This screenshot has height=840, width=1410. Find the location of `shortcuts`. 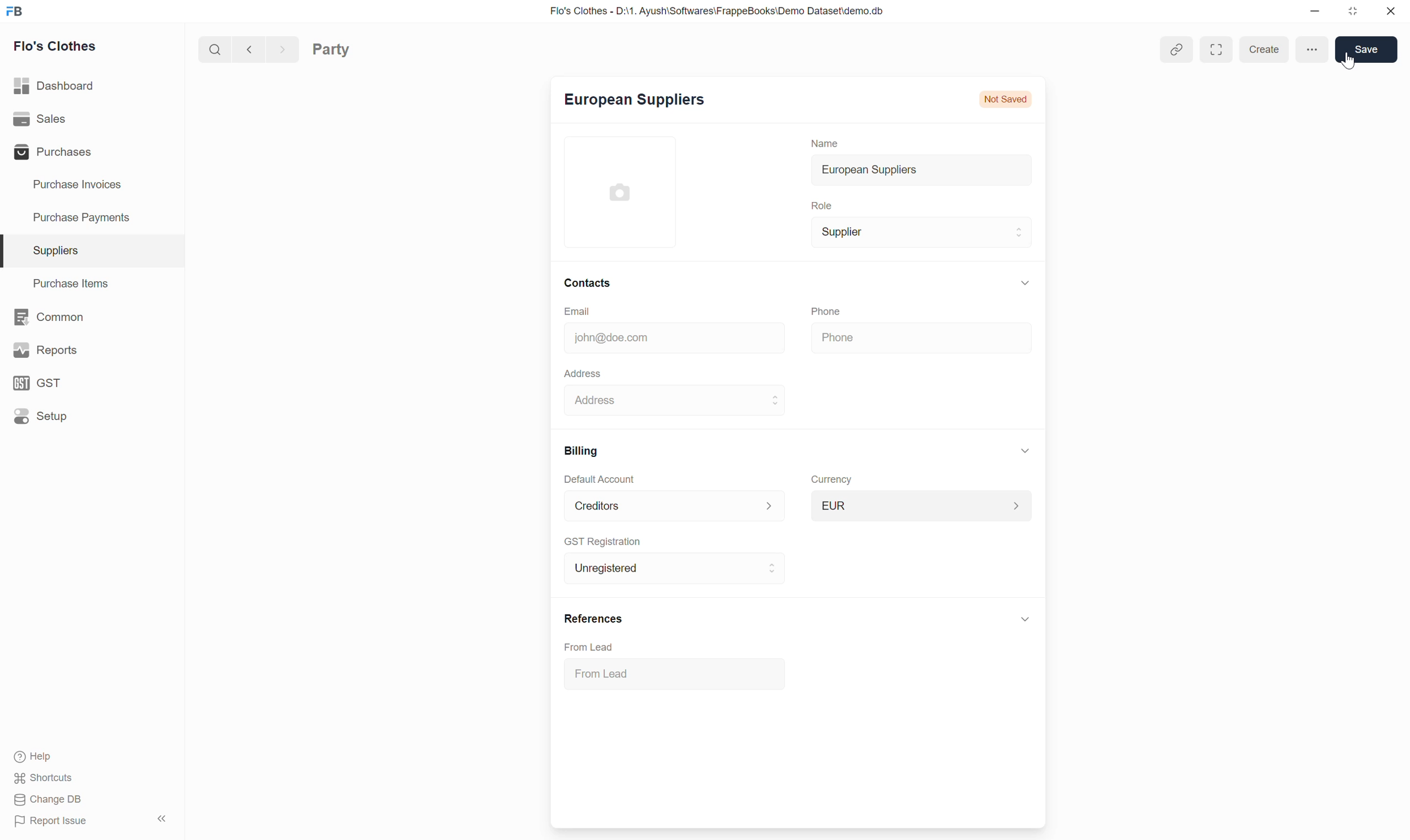

shortcuts is located at coordinates (42, 779).